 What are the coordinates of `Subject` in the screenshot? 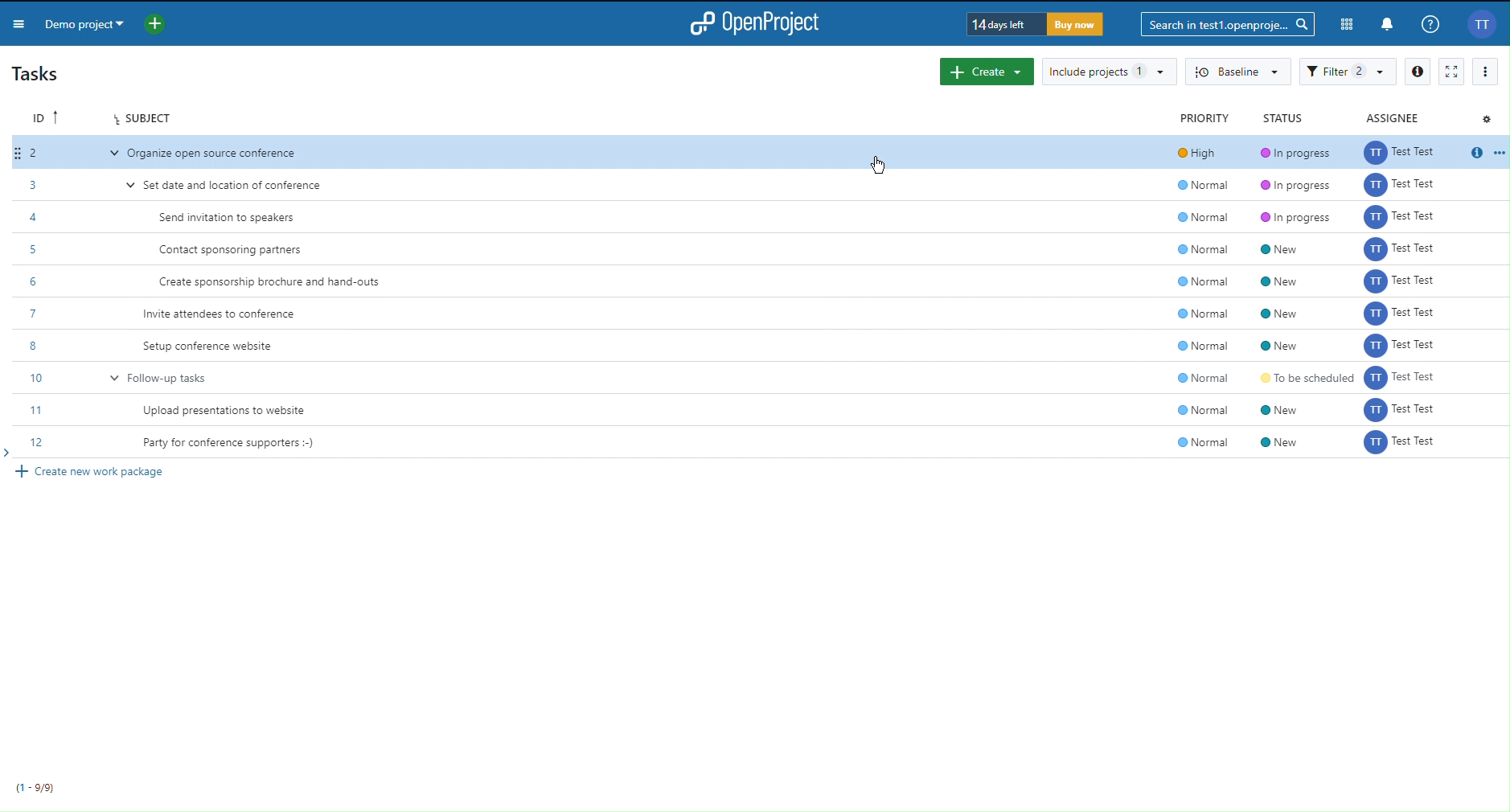 It's located at (148, 120).